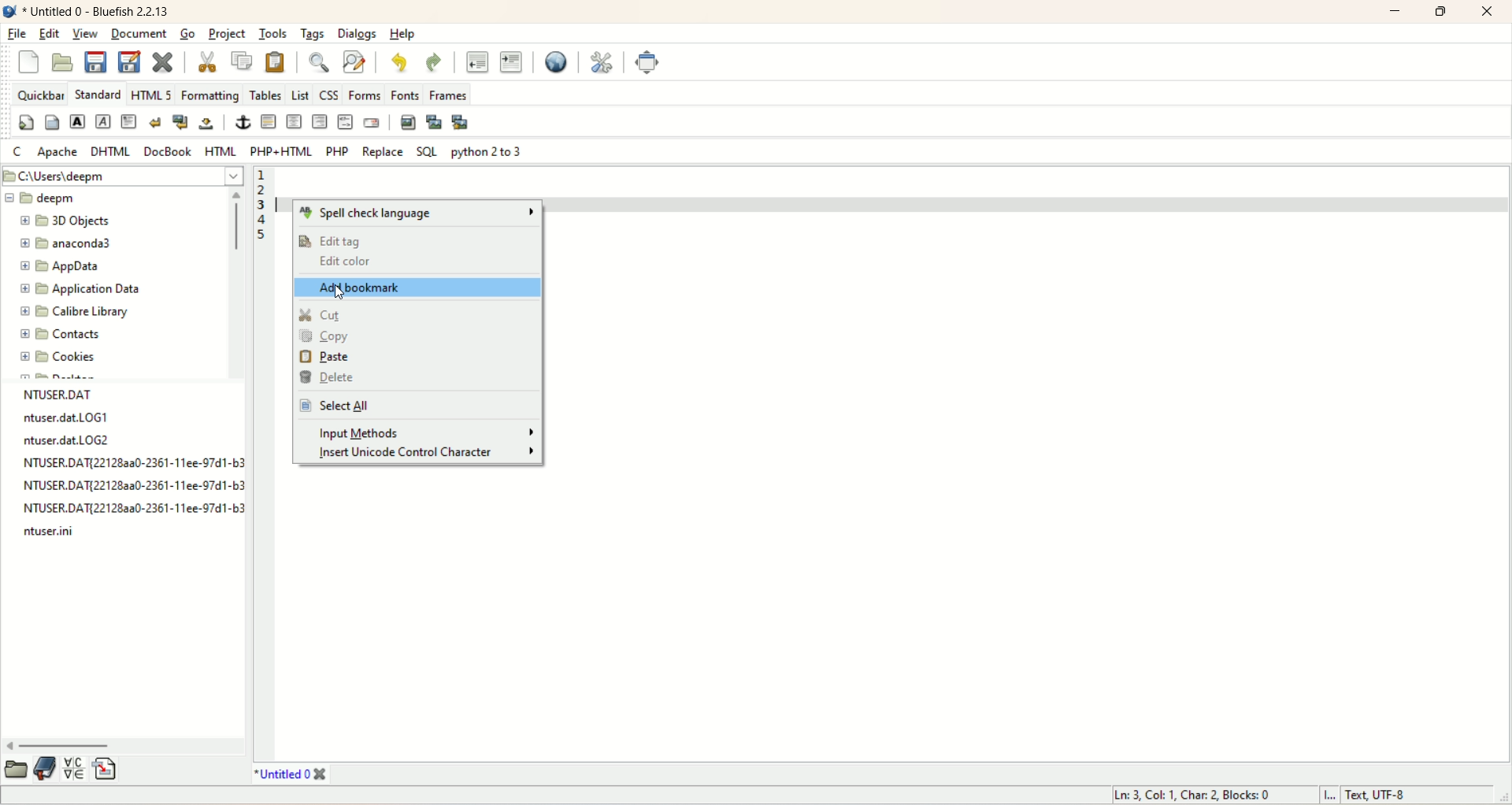 The height and width of the screenshot is (805, 1512). Describe the element at coordinates (336, 405) in the screenshot. I see `select all` at that location.